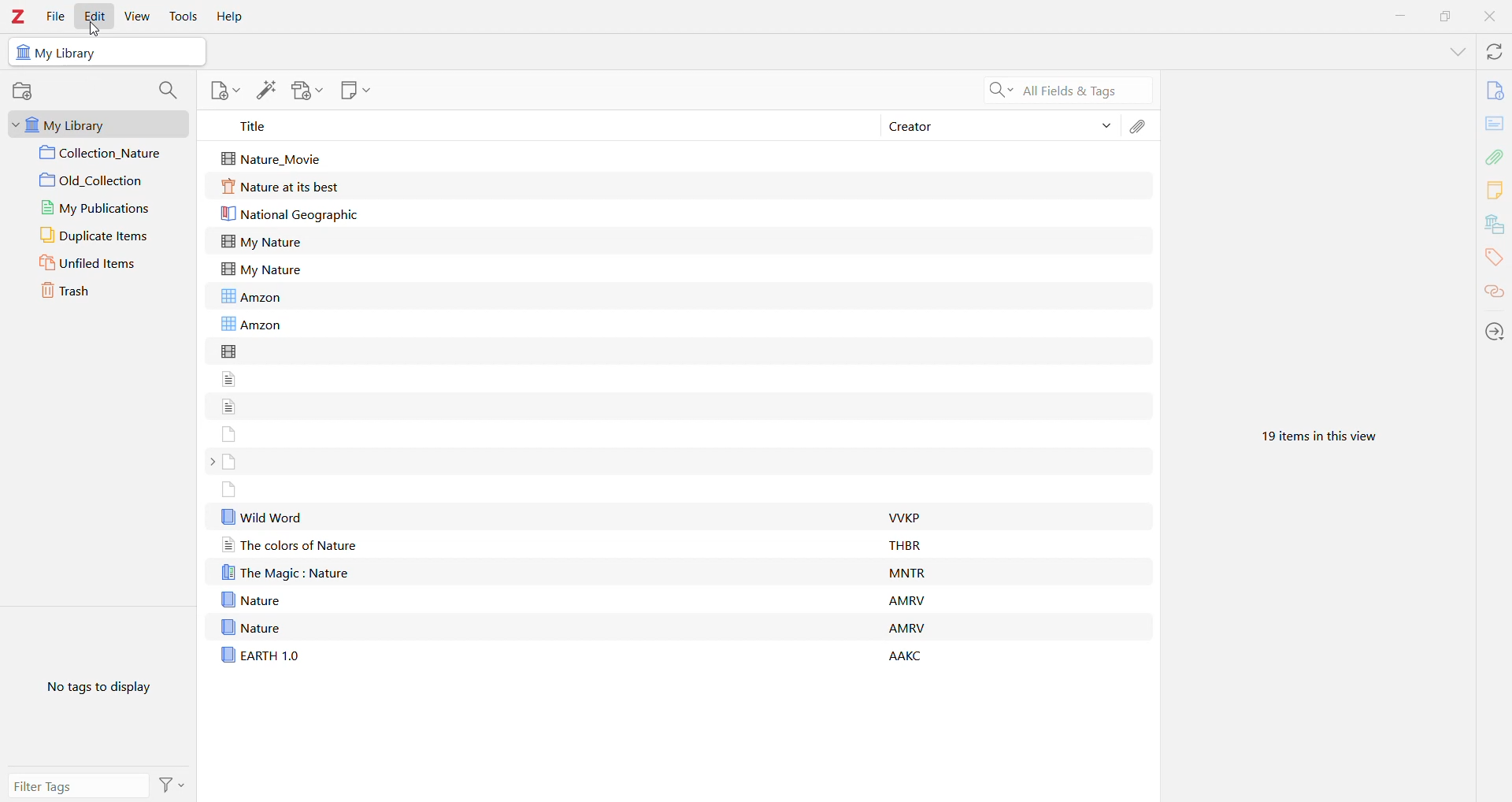 The width and height of the screenshot is (1512, 802). Describe the element at coordinates (1493, 51) in the screenshot. I see `Sync with zotero.org` at that location.